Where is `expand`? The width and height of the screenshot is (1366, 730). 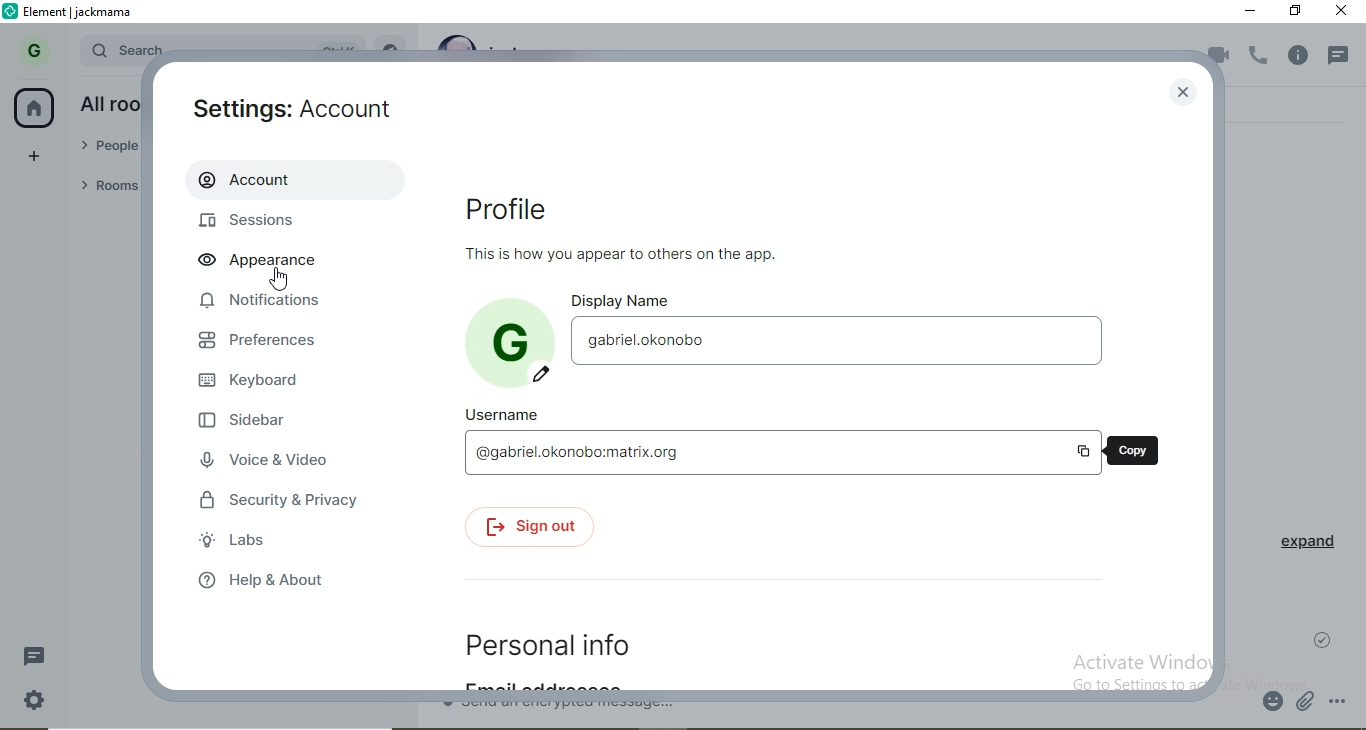
expand is located at coordinates (1301, 547).